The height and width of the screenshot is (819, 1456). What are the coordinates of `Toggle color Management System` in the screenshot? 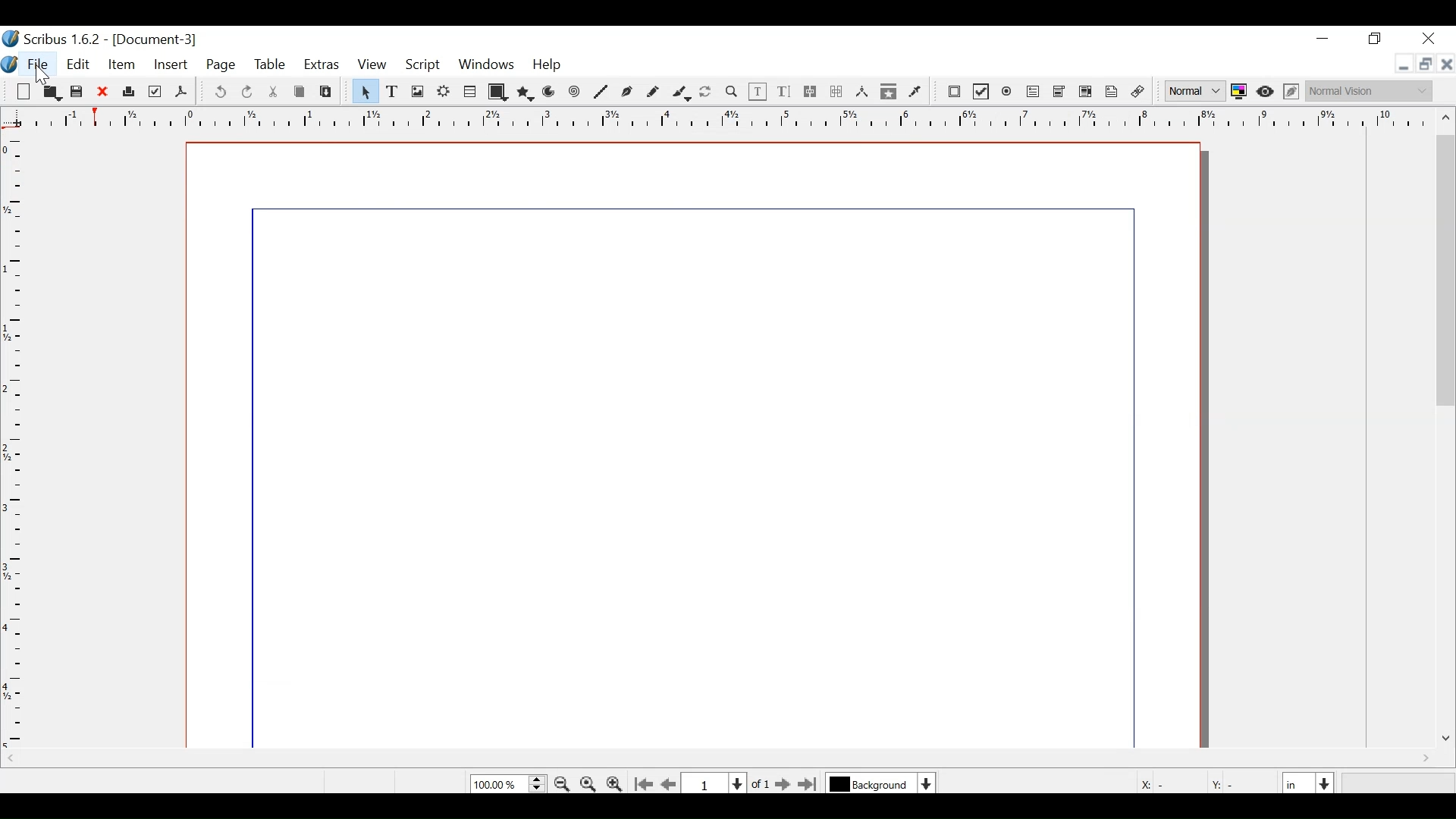 It's located at (1239, 93).